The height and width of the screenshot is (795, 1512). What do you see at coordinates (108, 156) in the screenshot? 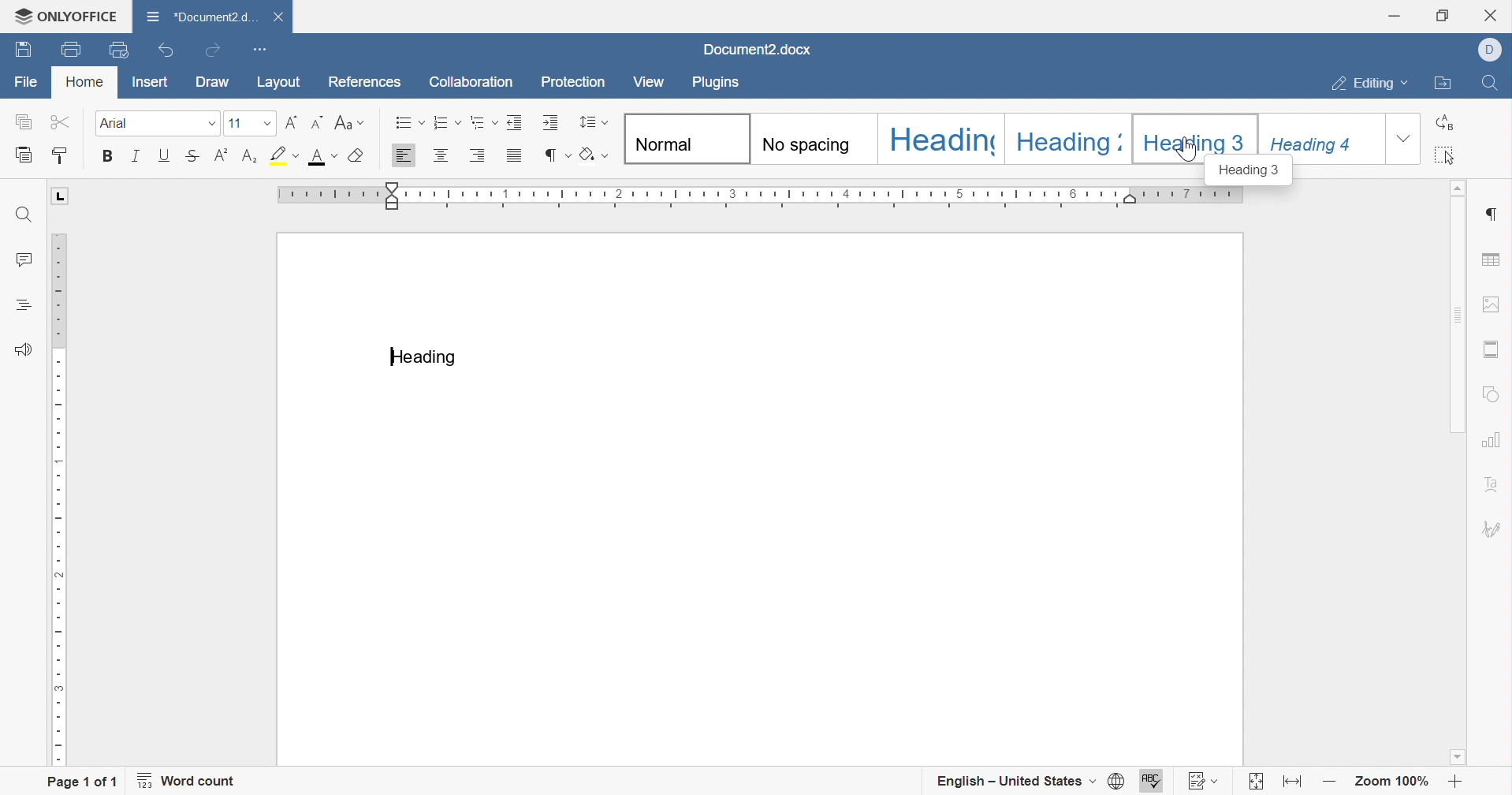
I see `Bold` at bounding box center [108, 156].